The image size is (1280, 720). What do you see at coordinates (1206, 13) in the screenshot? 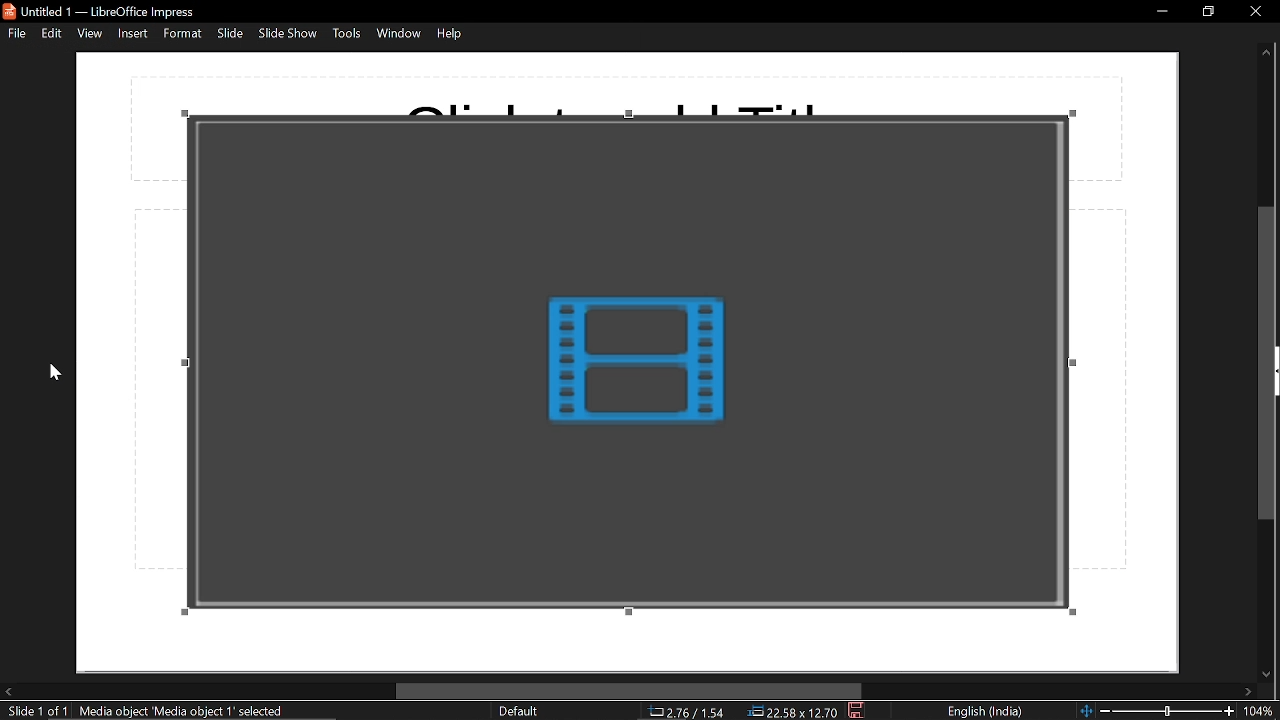
I see `restore down` at bounding box center [1206, 13].